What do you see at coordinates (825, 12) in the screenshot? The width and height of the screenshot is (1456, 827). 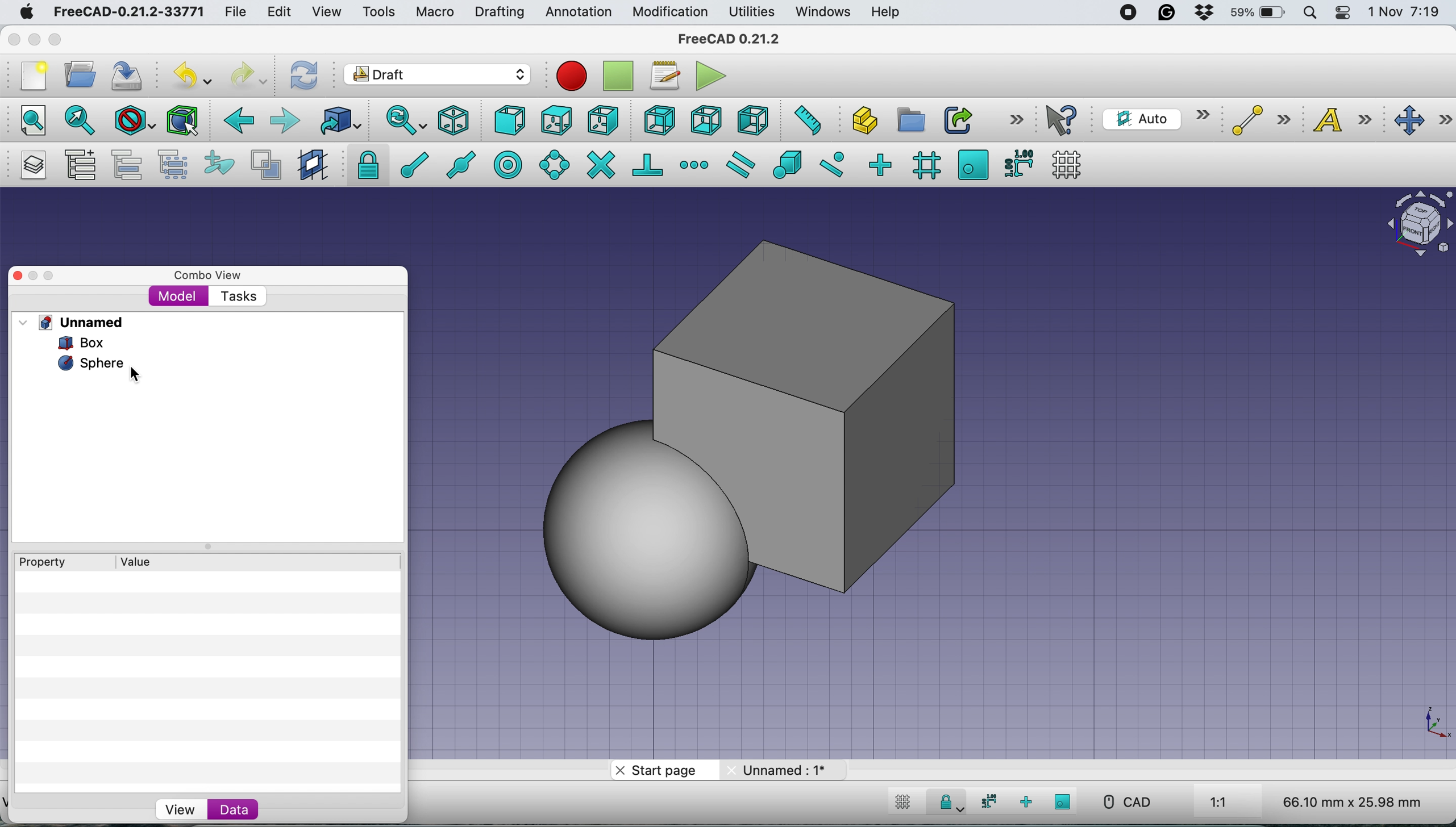 I see `windows` at bounding box center [825, 12].